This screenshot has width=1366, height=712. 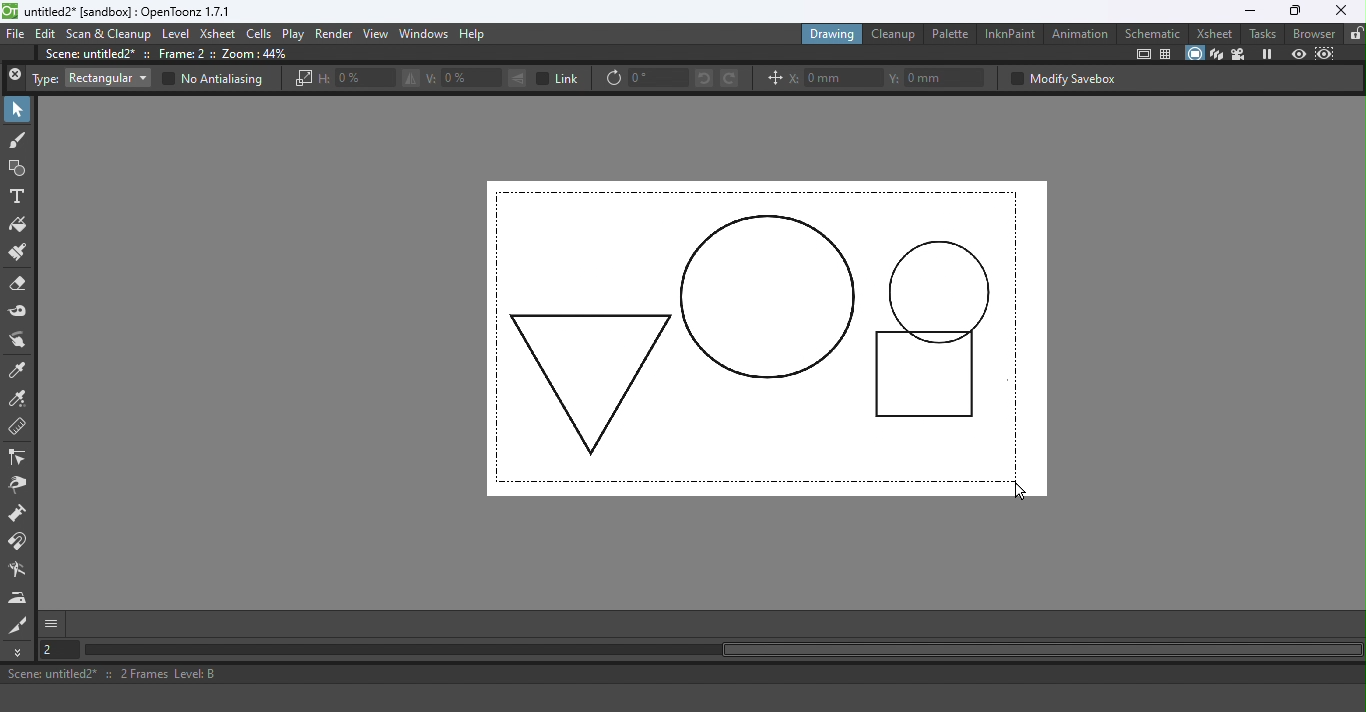 I want to click on Windows, so click(x=423, y=35).